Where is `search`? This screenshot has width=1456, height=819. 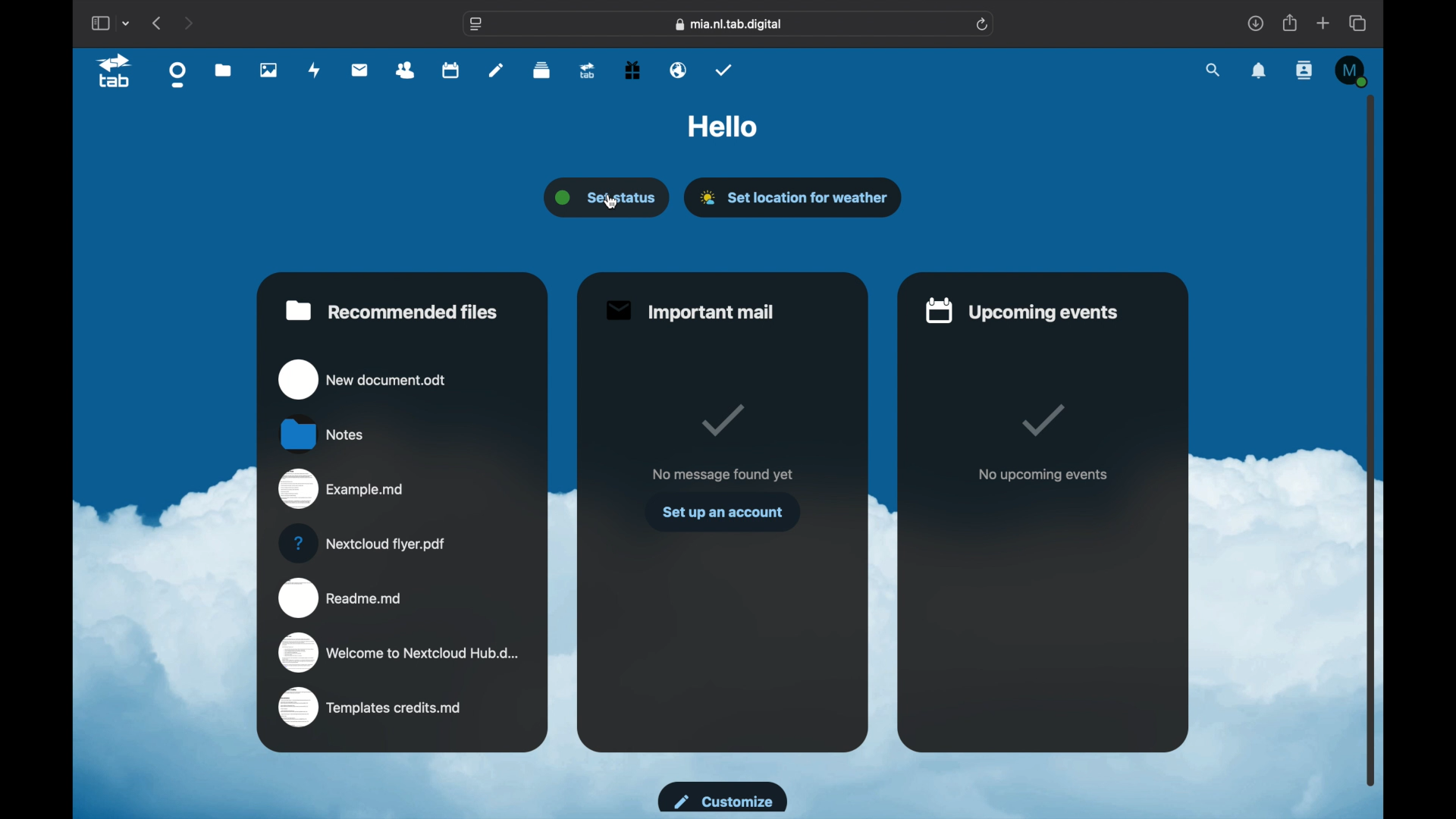
search is located at coordinates (1214, 71).